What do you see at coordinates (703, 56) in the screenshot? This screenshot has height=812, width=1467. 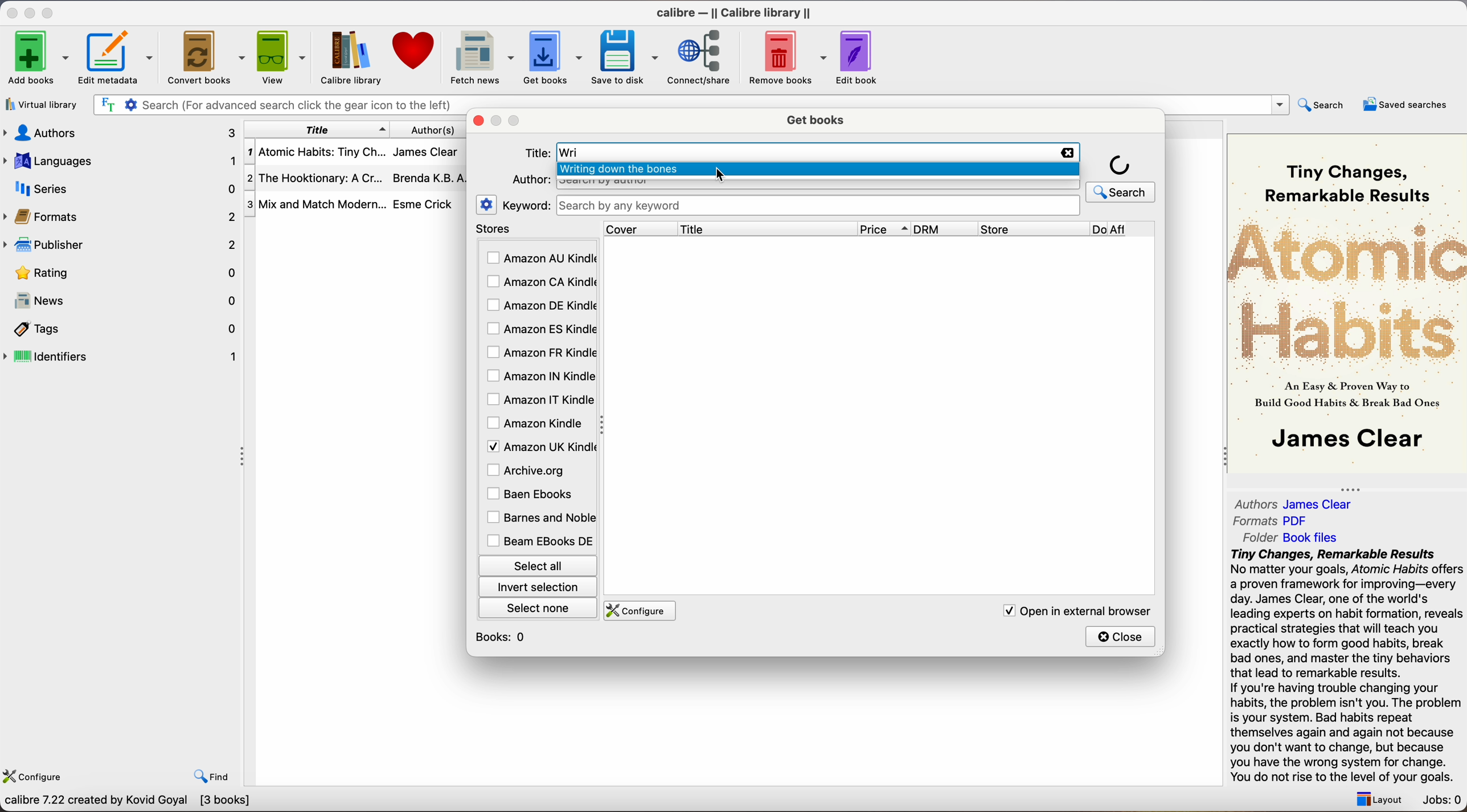 I see `connect/share` at bounding box center [703, 56].